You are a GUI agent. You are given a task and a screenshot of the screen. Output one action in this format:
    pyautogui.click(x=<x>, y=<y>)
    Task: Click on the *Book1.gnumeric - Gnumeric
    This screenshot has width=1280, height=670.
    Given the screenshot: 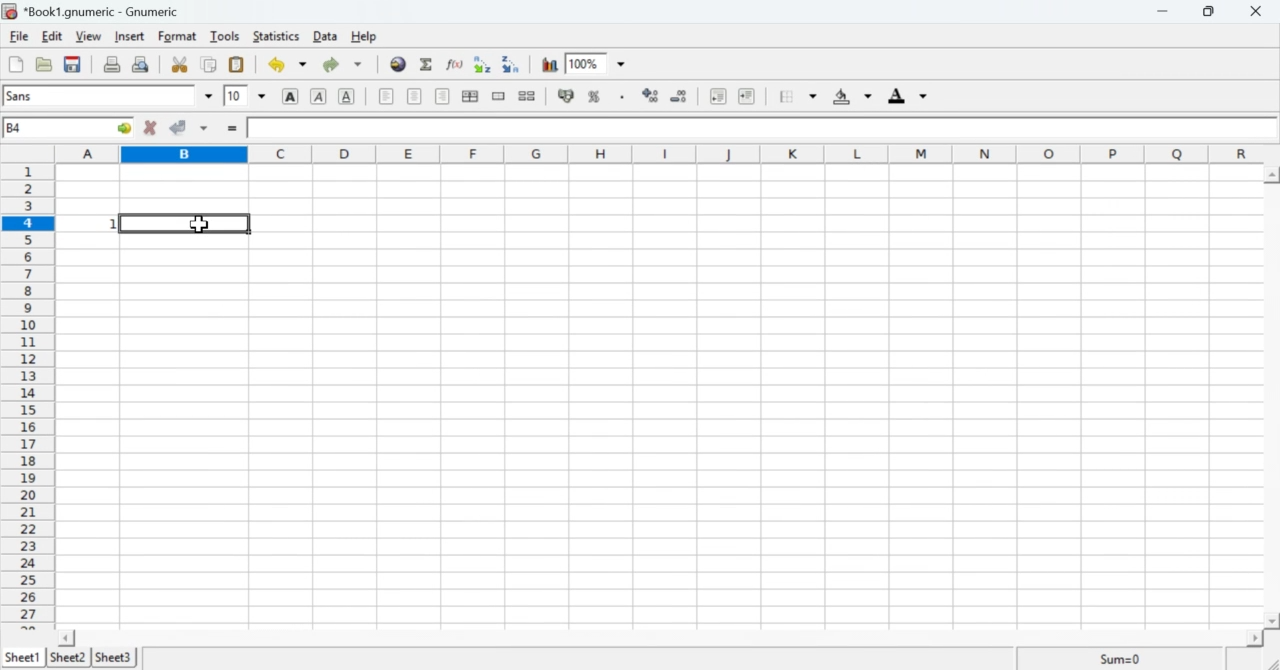 What is the action you would take?
    pyautogui.click(x=105, y=11)
    